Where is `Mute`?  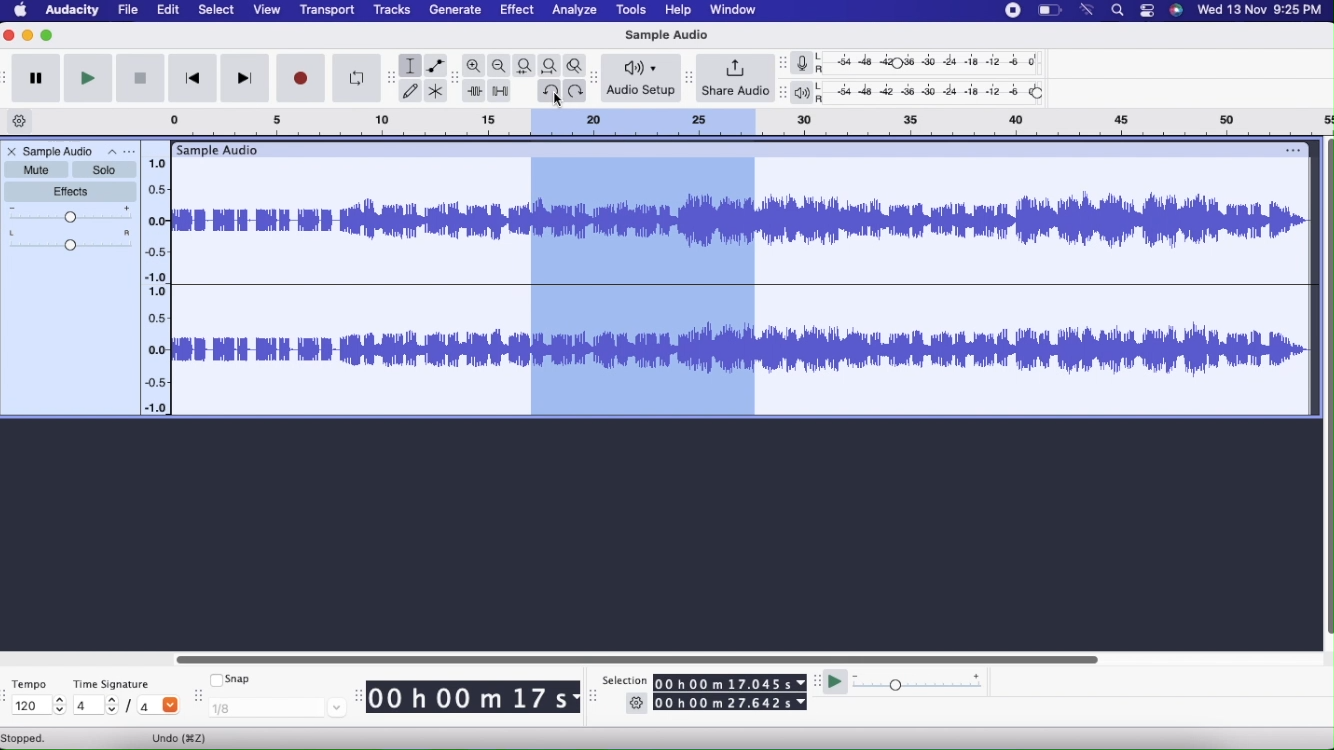 Mute is located at coordinates (38, 170).